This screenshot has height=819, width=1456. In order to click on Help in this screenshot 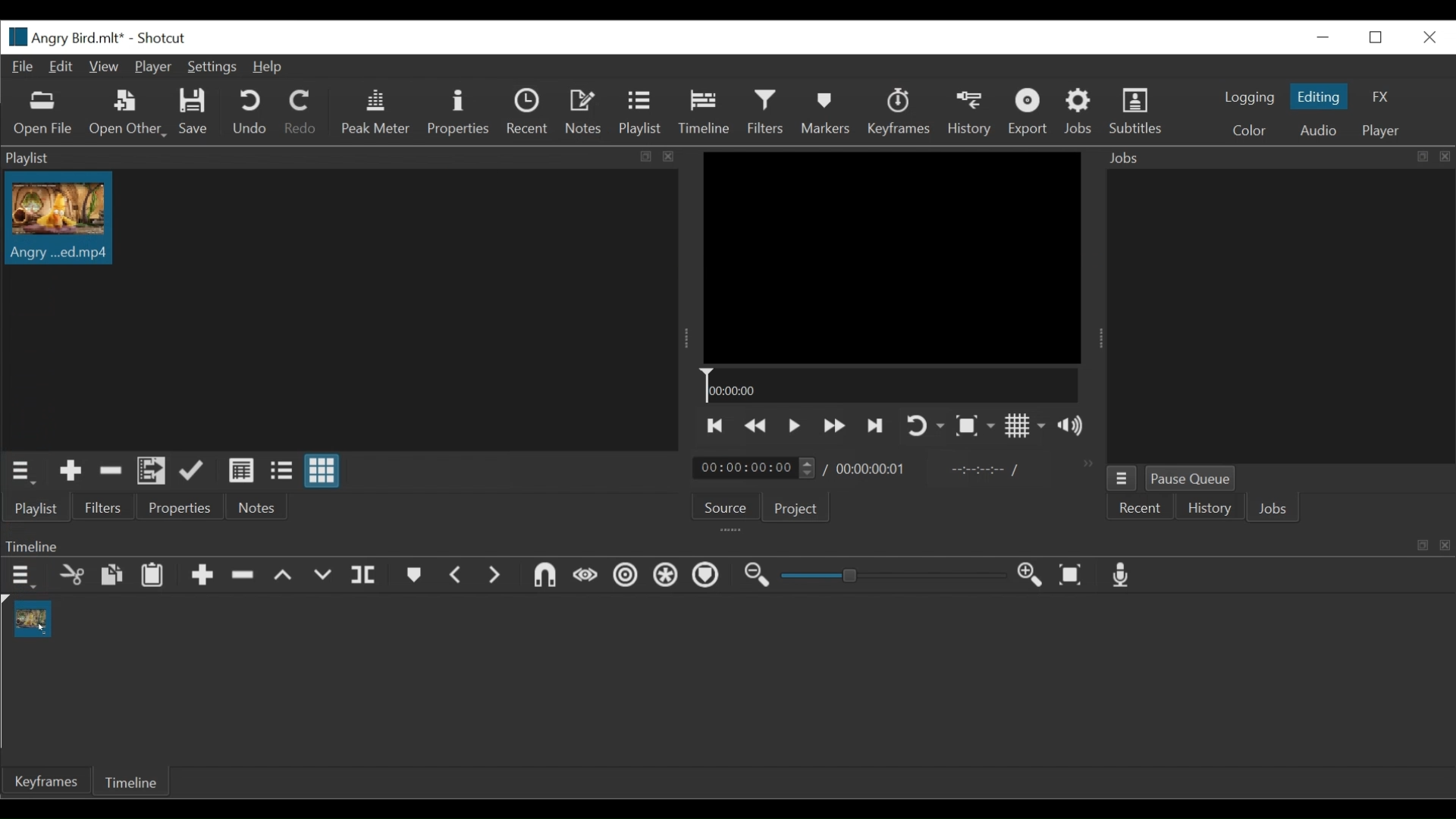, I will do `click(265, 67)`.